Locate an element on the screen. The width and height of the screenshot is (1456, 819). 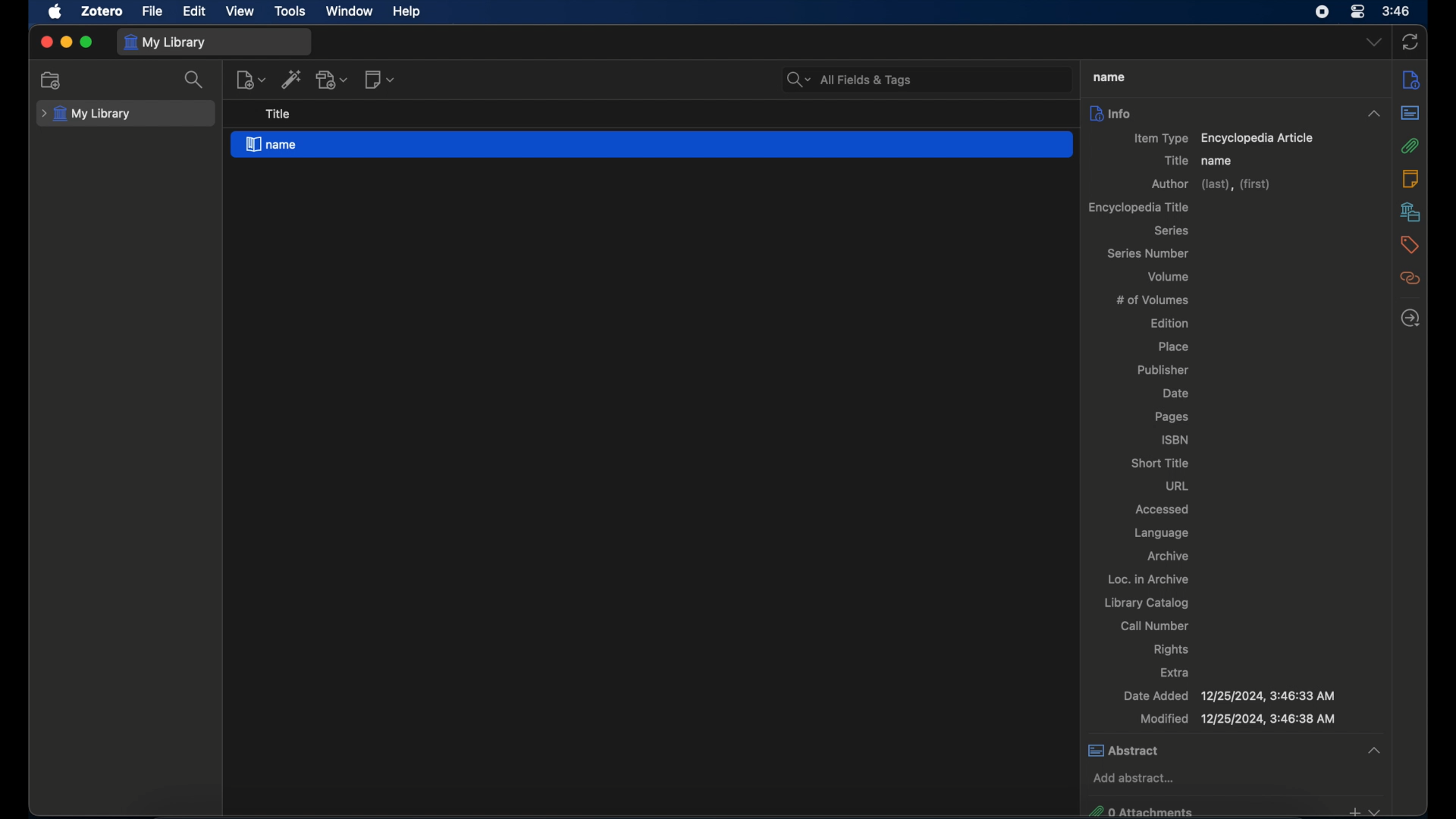
extra is located at coordinates (1175, 673).